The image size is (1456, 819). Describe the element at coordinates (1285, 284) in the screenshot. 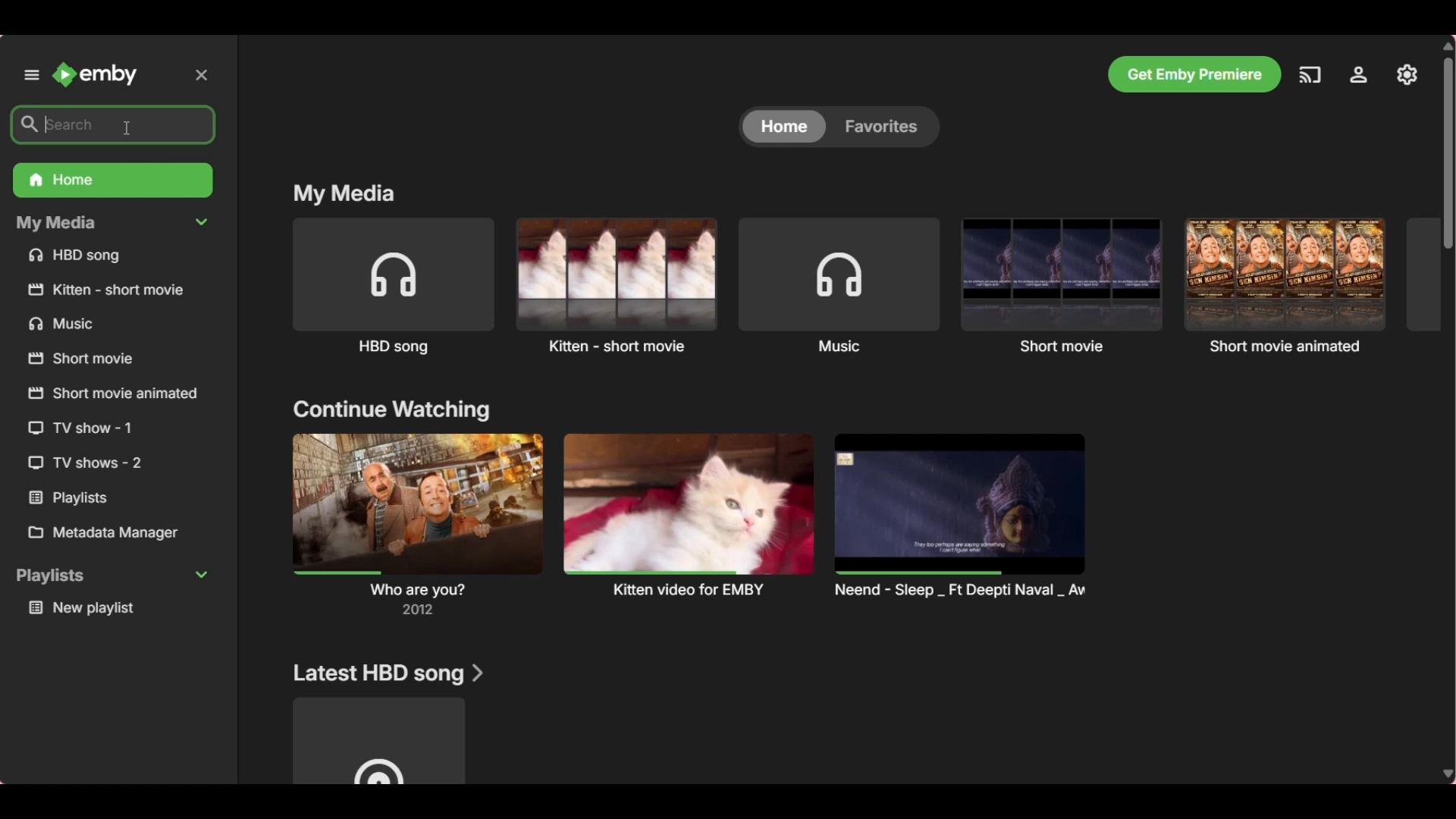

I see `Short movie animated` at that location.